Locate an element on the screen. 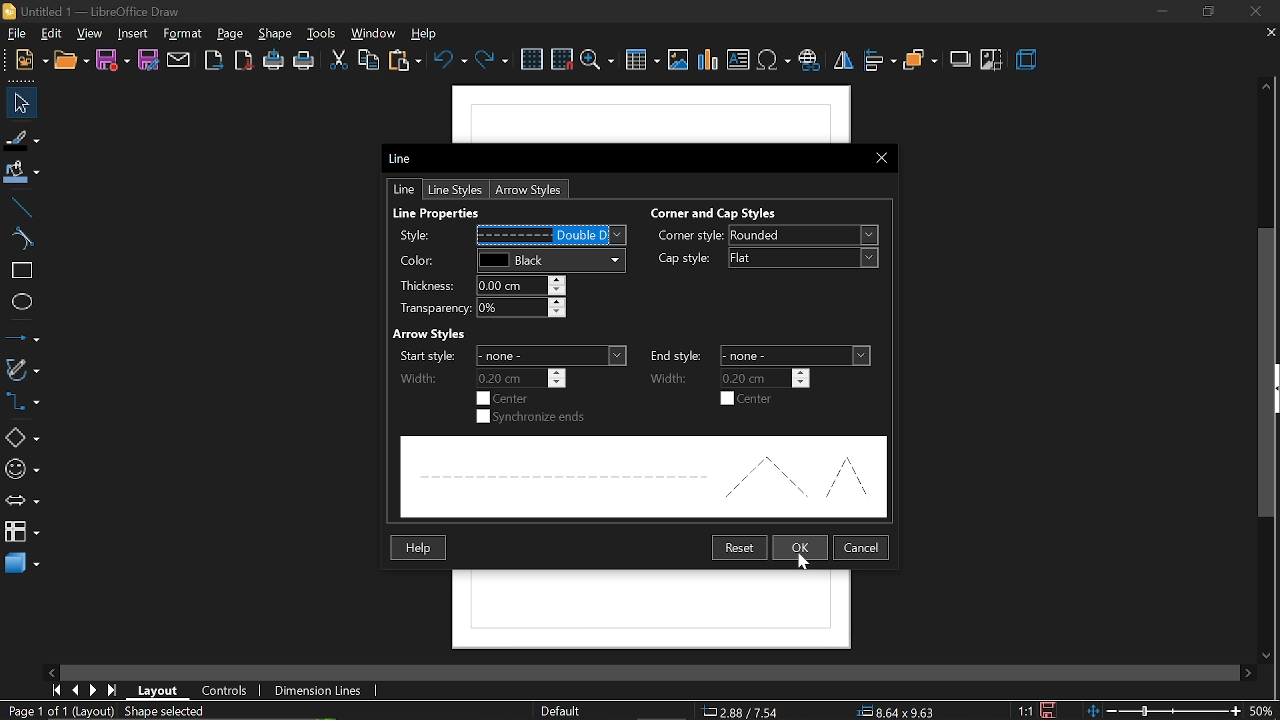 The width and height of the screenshot is (1280, 720). grid is located at coordinates (534, 59).